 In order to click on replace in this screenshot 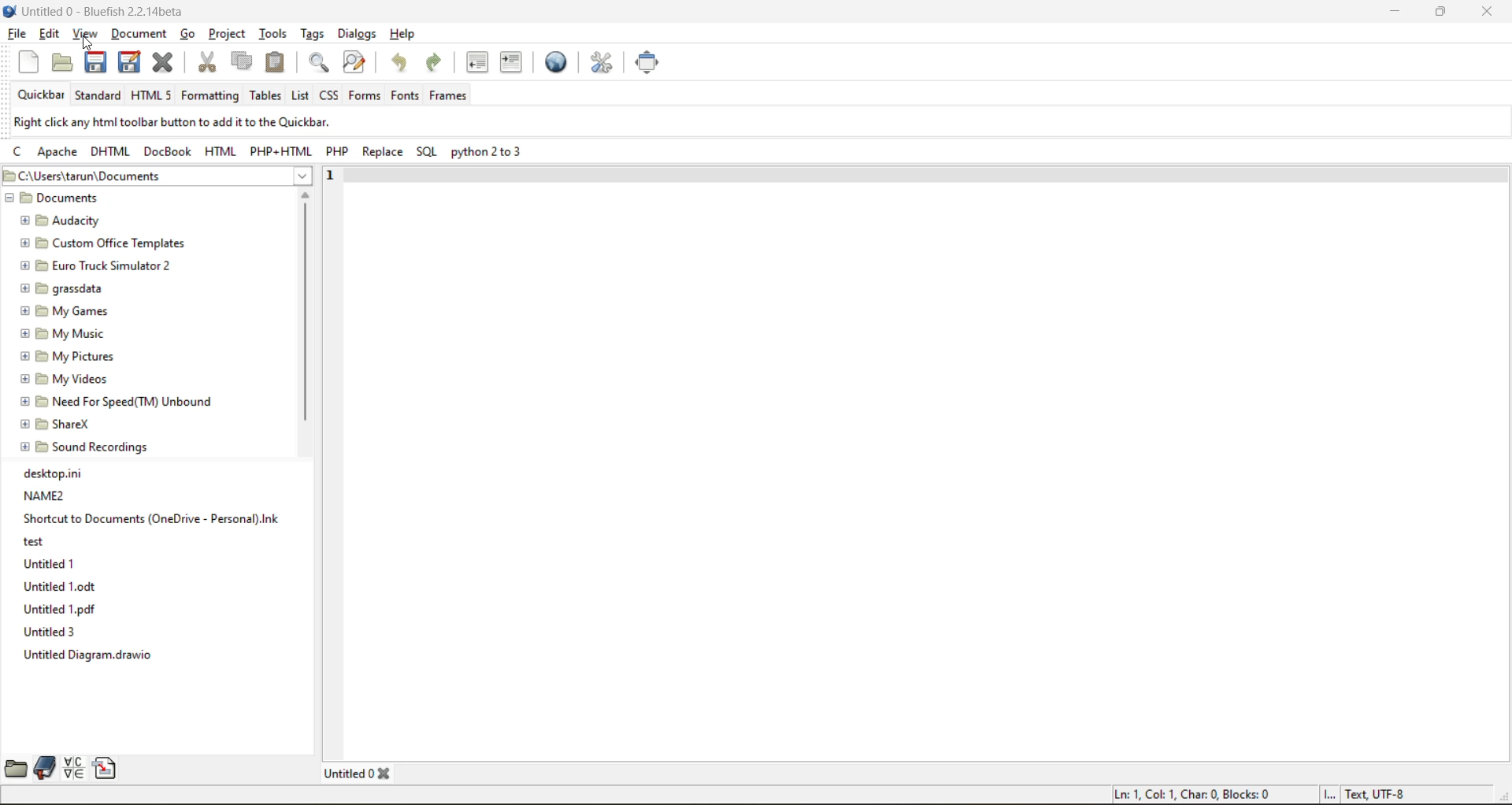, I will do `click(385, 152)`.